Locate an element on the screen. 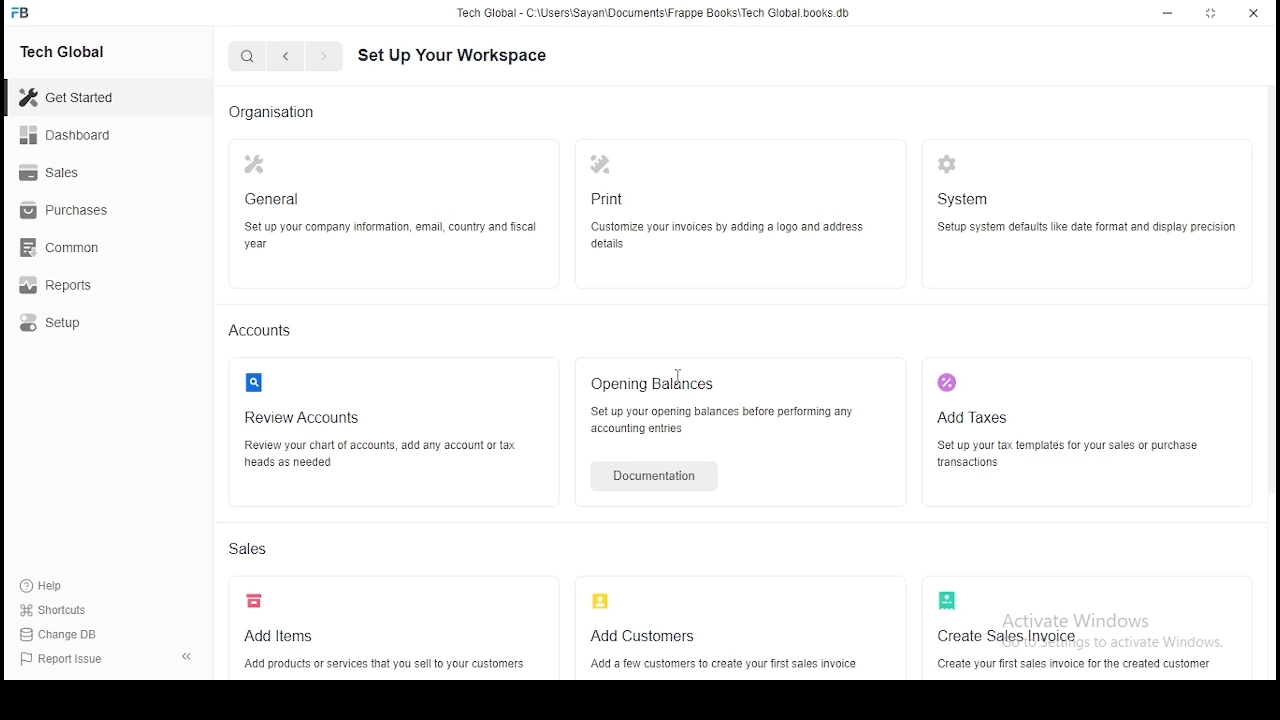 This screenshot has height=720, width=1280. cursor is located at coordinates (683, 380).